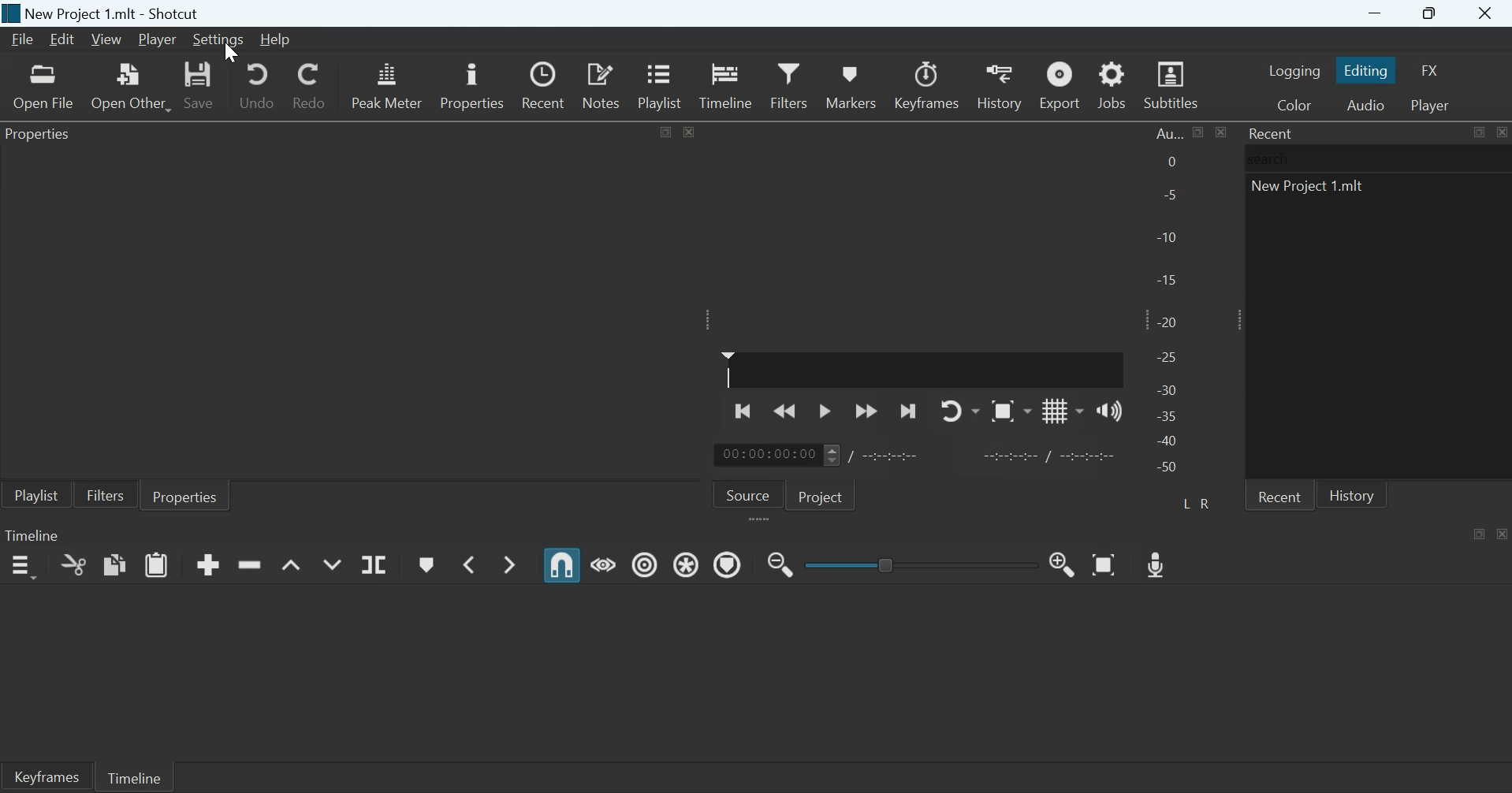 Image resolution: width=1512 pixels, height=793 pixels. What do you see at coordinates (823, 495) in the screenshot?
I see `Project` at bounding box center [823, 495].